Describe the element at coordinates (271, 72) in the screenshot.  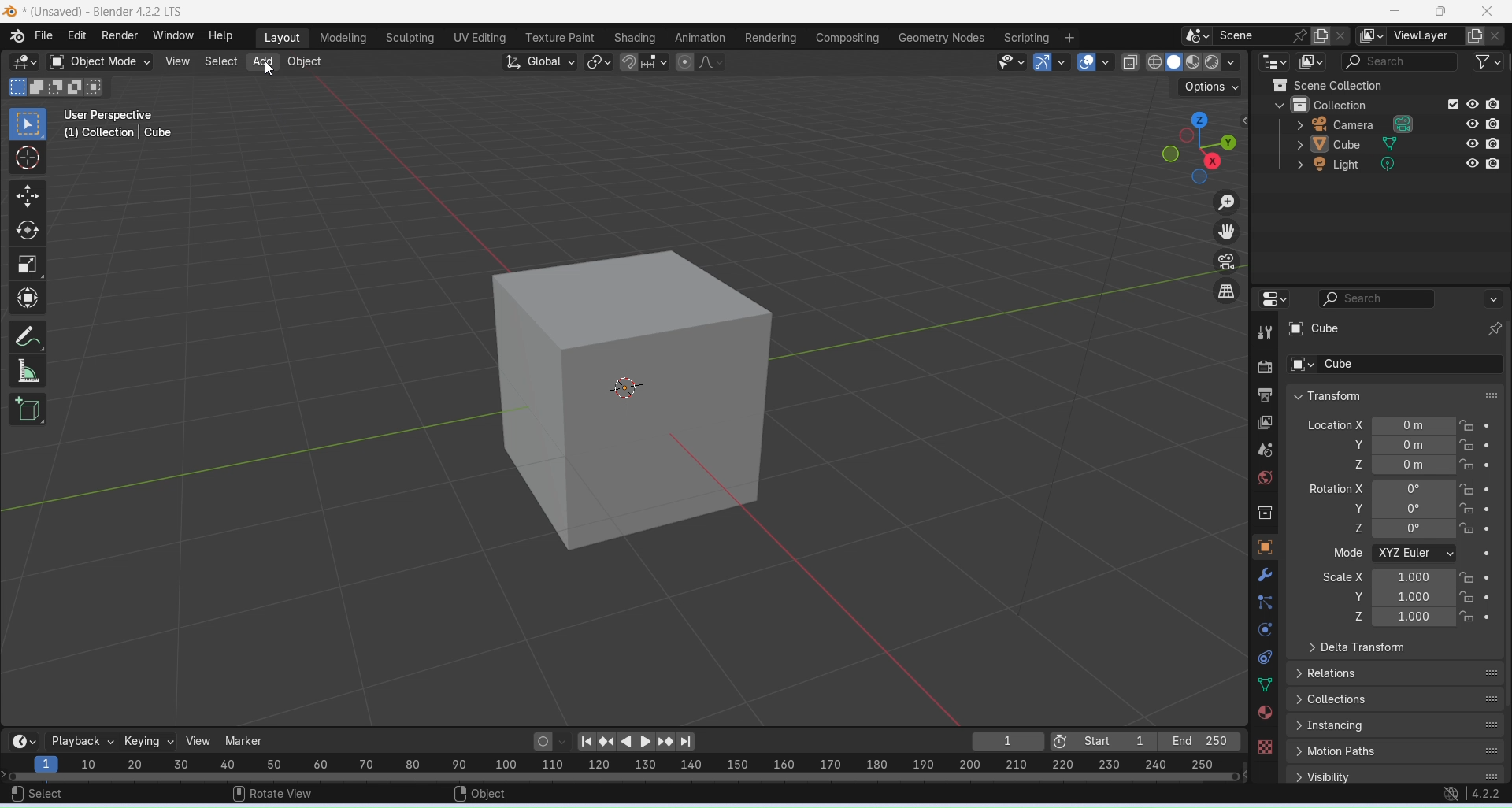
I see `cursor` at that location.